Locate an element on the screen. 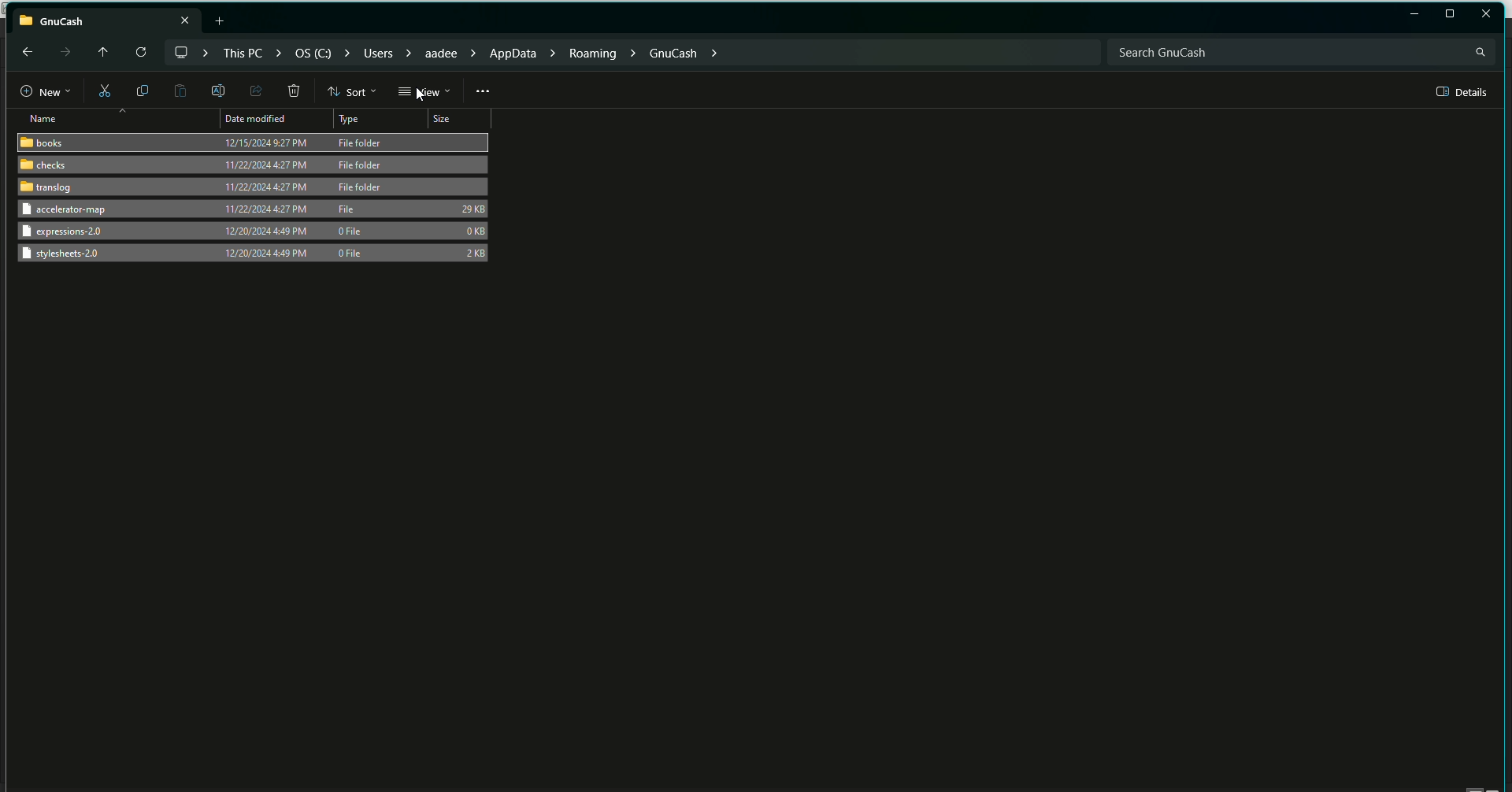  Size is located at coordinates (445, 120).